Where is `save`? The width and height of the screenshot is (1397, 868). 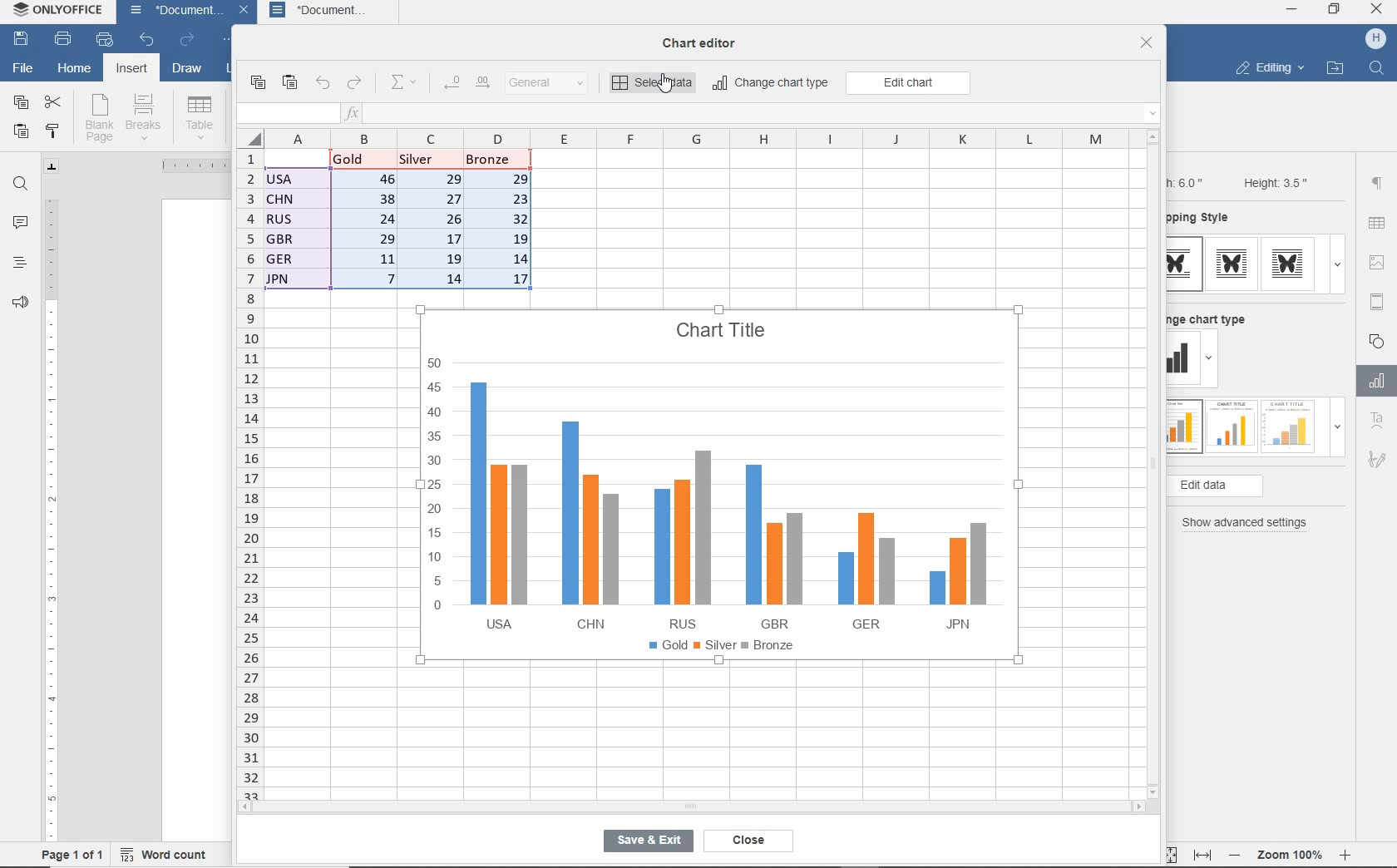
save is located at coordinates (22, 40).